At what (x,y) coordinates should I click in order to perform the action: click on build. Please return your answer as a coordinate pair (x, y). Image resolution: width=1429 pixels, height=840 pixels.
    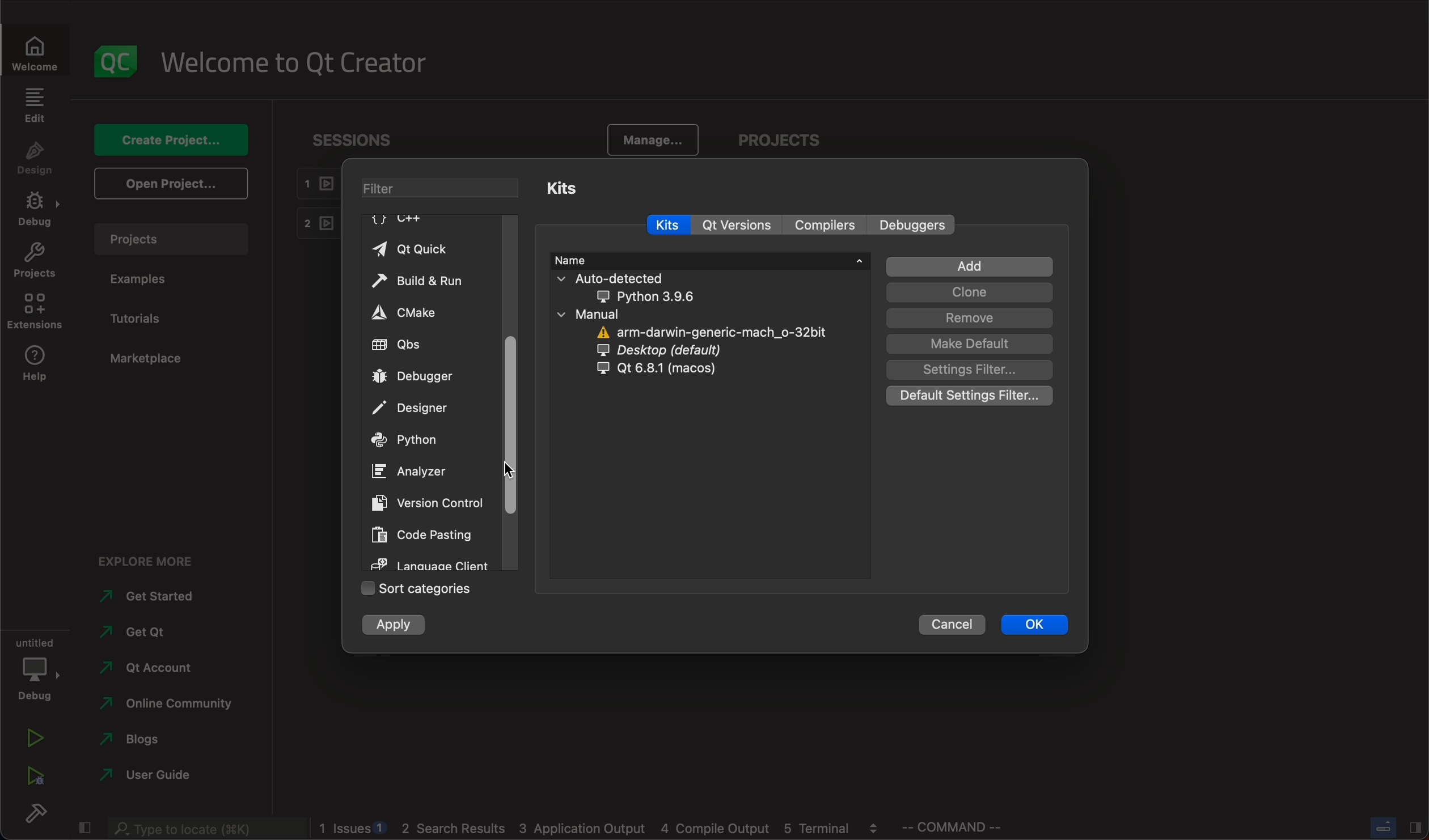
    Looking at the image, I should click on (34, 813).